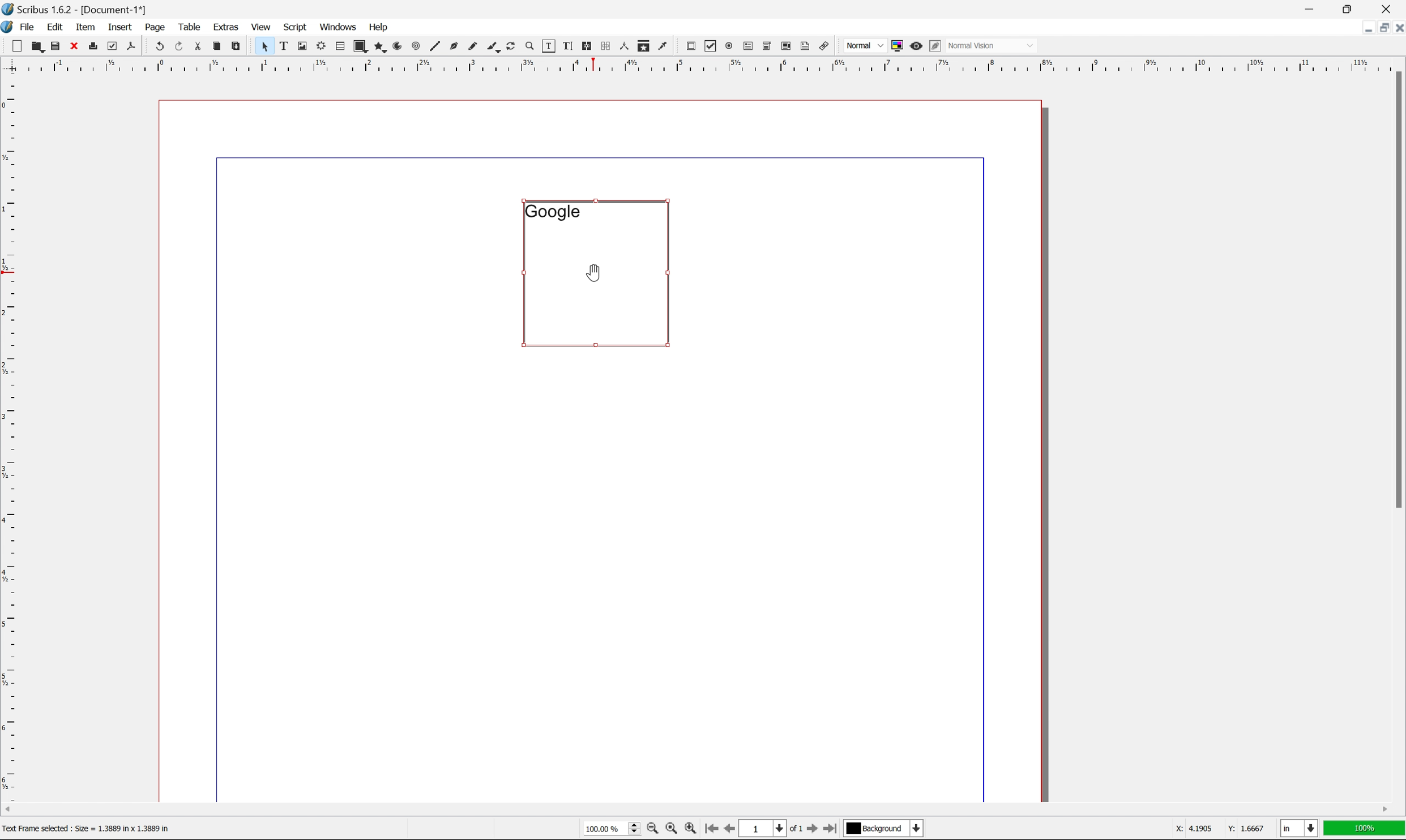  What do you see at coordinates (88, 25) in the screenshot?
I see `item` at bounding box center [88, 25].